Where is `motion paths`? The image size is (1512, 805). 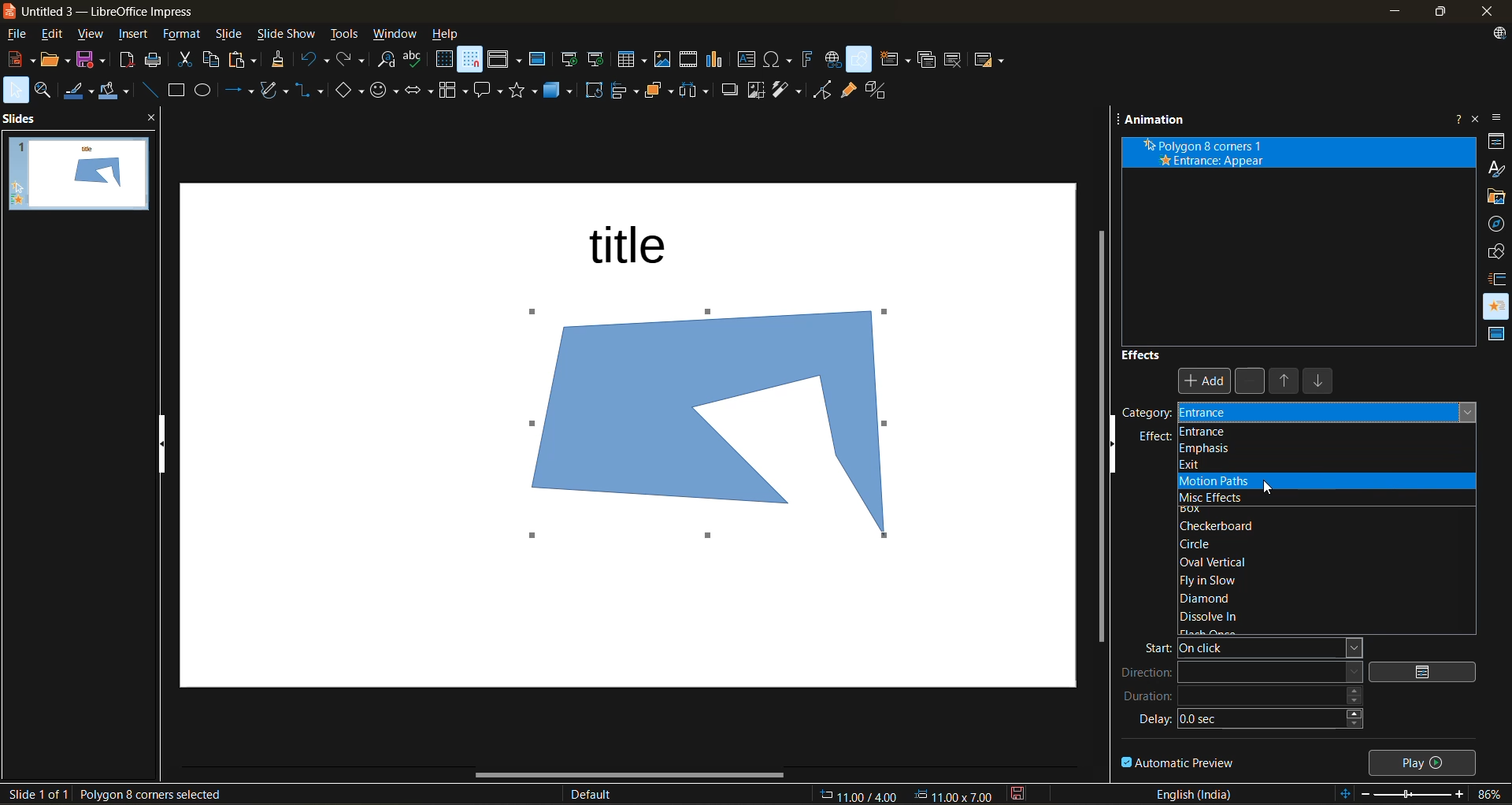 motion paths is located at coordinates (1212, 482).